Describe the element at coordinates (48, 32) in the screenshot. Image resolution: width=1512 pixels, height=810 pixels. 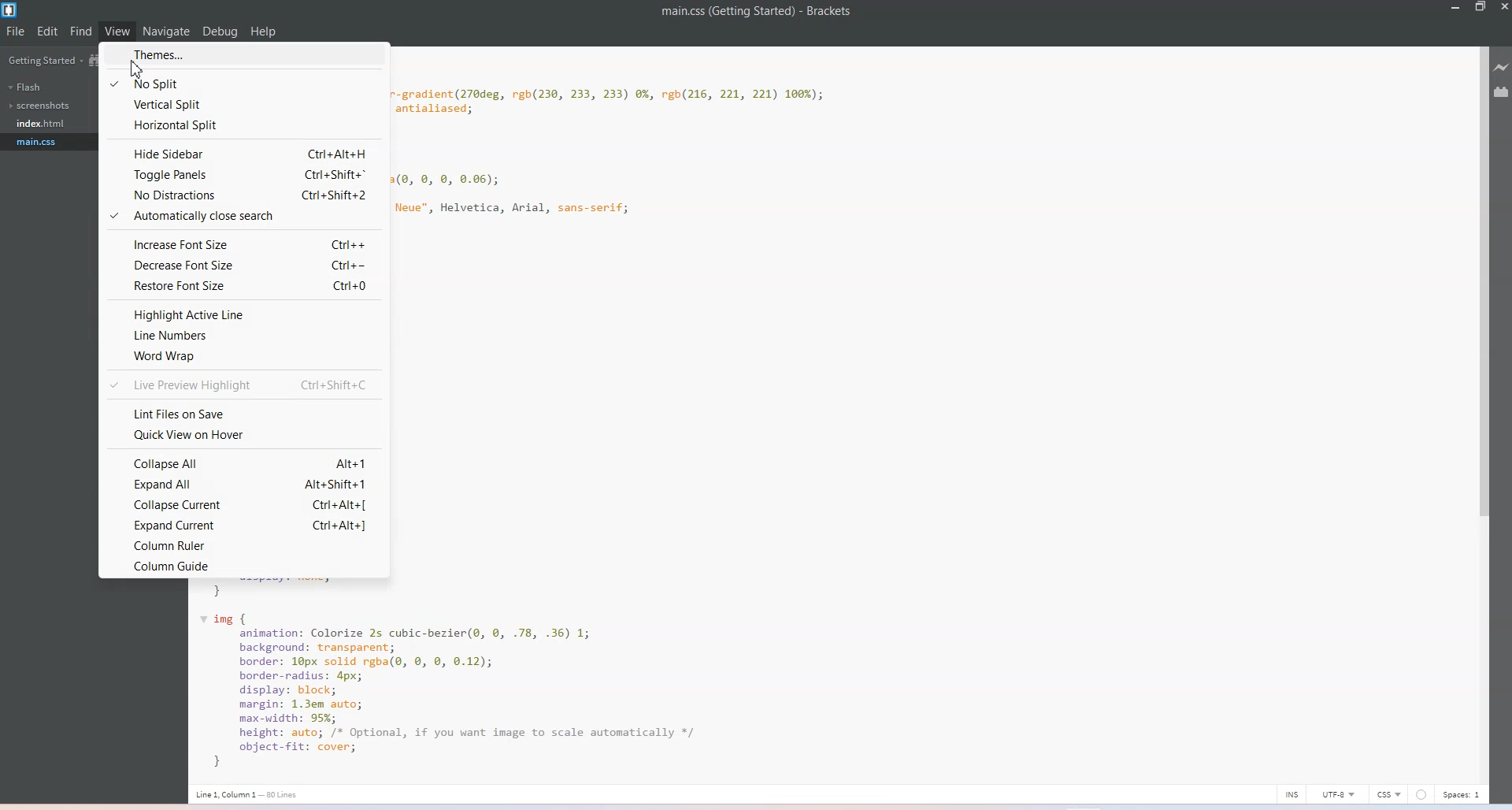
I see `Edit` at that location.